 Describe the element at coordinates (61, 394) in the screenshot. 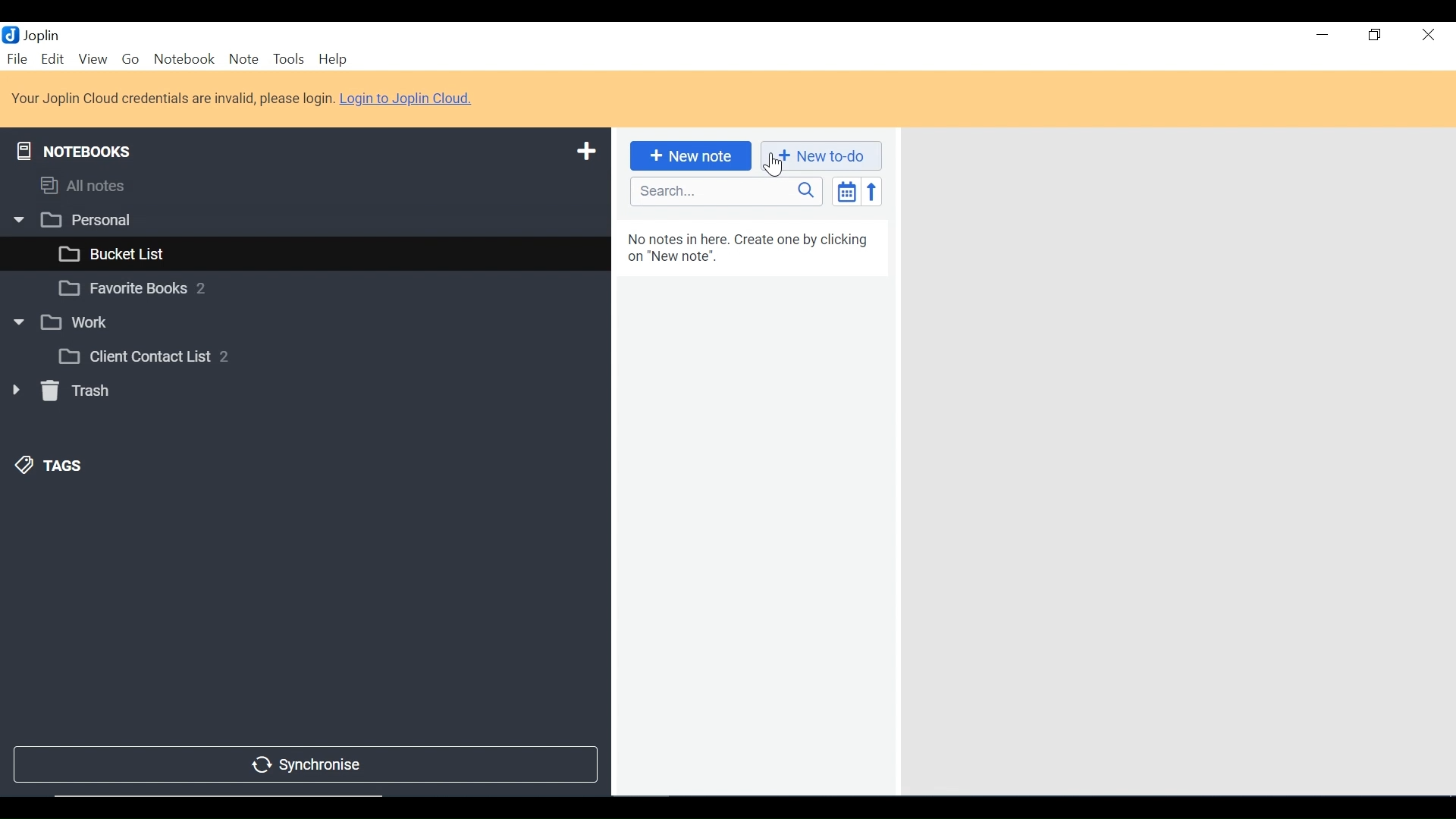

I see `Trash` at that location.